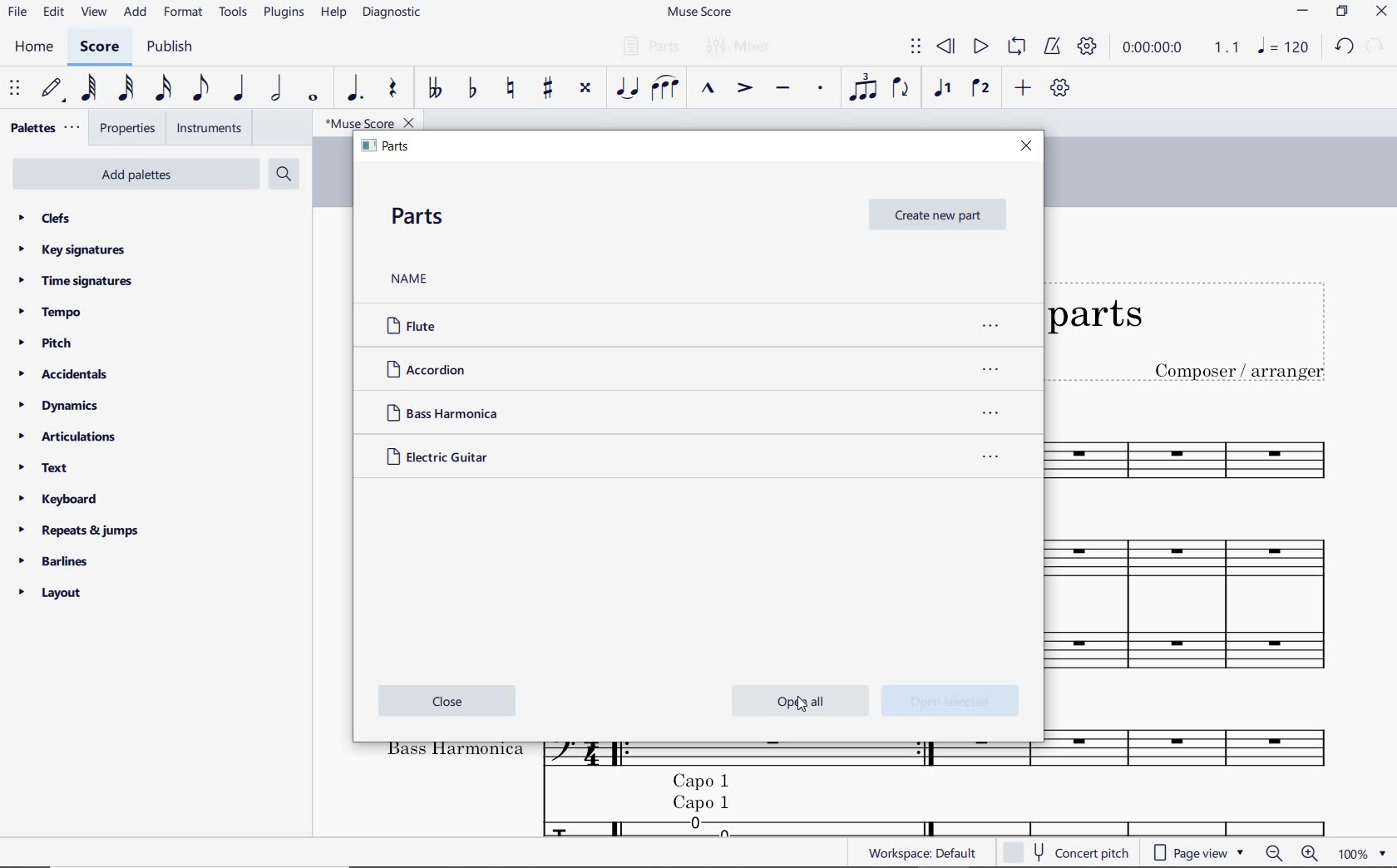 This screenshot has height=868, width=1397. I want to click on quarter note, so click(241, 86).